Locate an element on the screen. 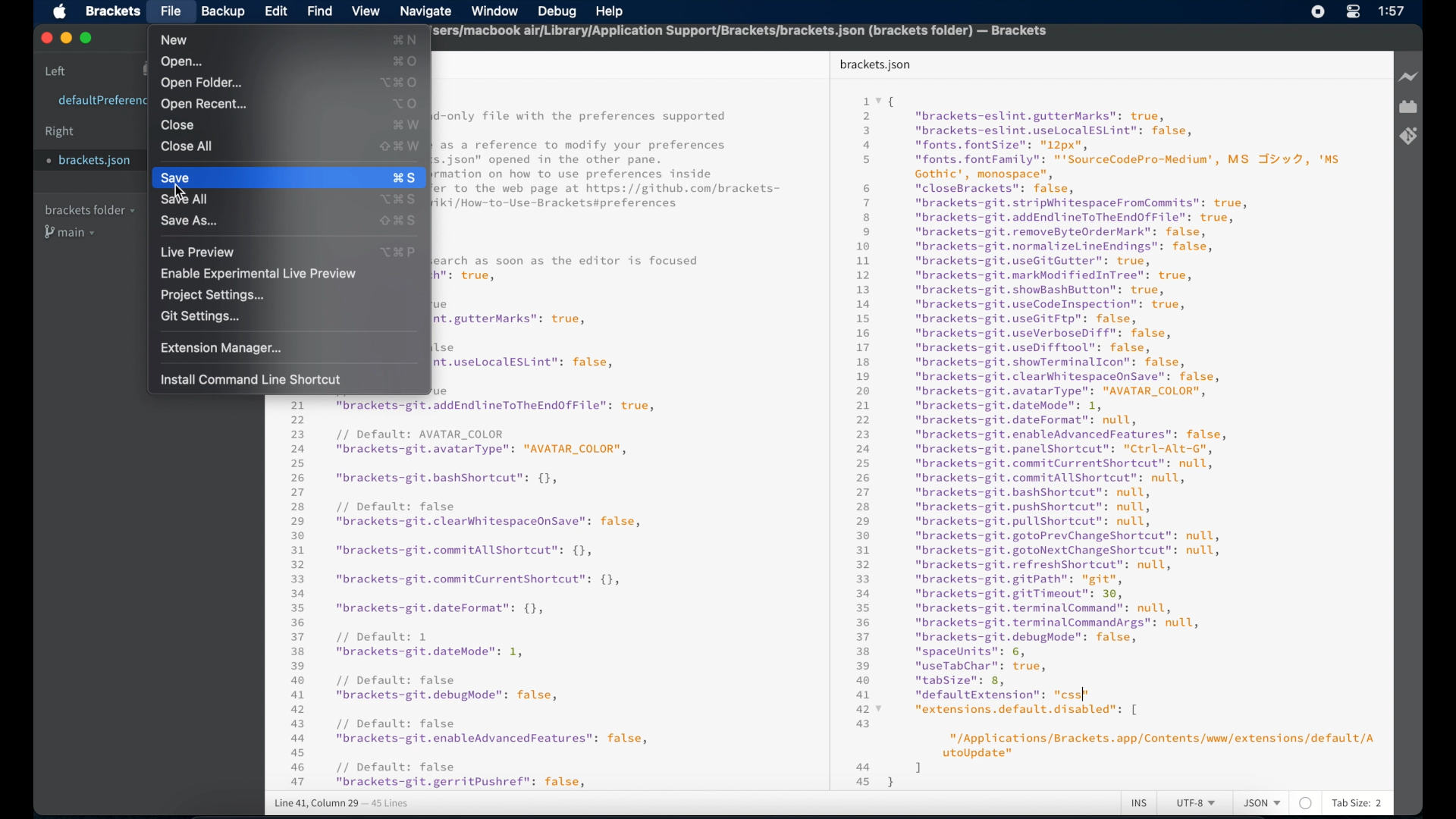  line 41, column 30 - 45 lines is located at coordinates (341, 804).